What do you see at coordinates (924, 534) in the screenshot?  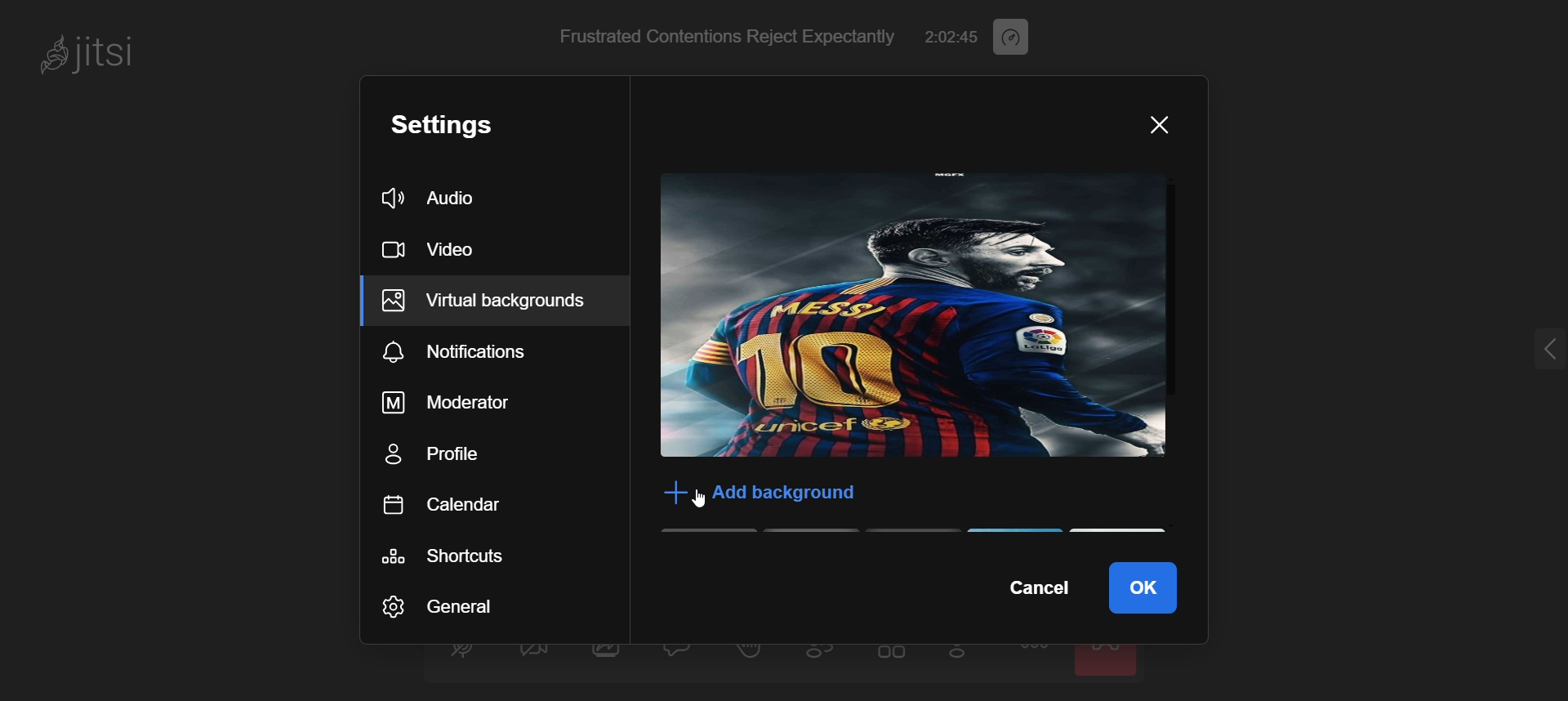 I see `pre loaded screen backgrounds` at bounding box center [924, 534].